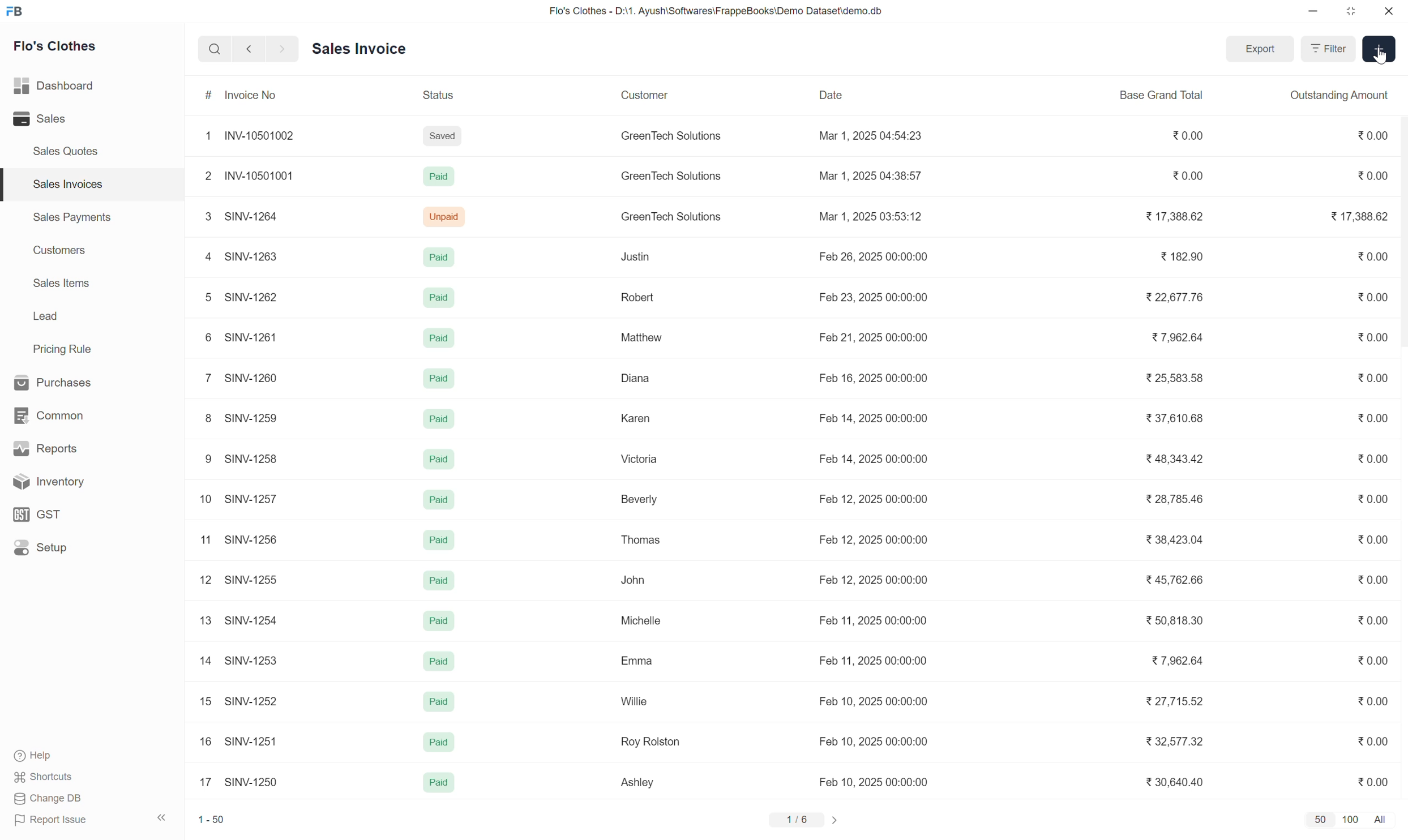  I want to click on SINV-1254, so click(252, 620).